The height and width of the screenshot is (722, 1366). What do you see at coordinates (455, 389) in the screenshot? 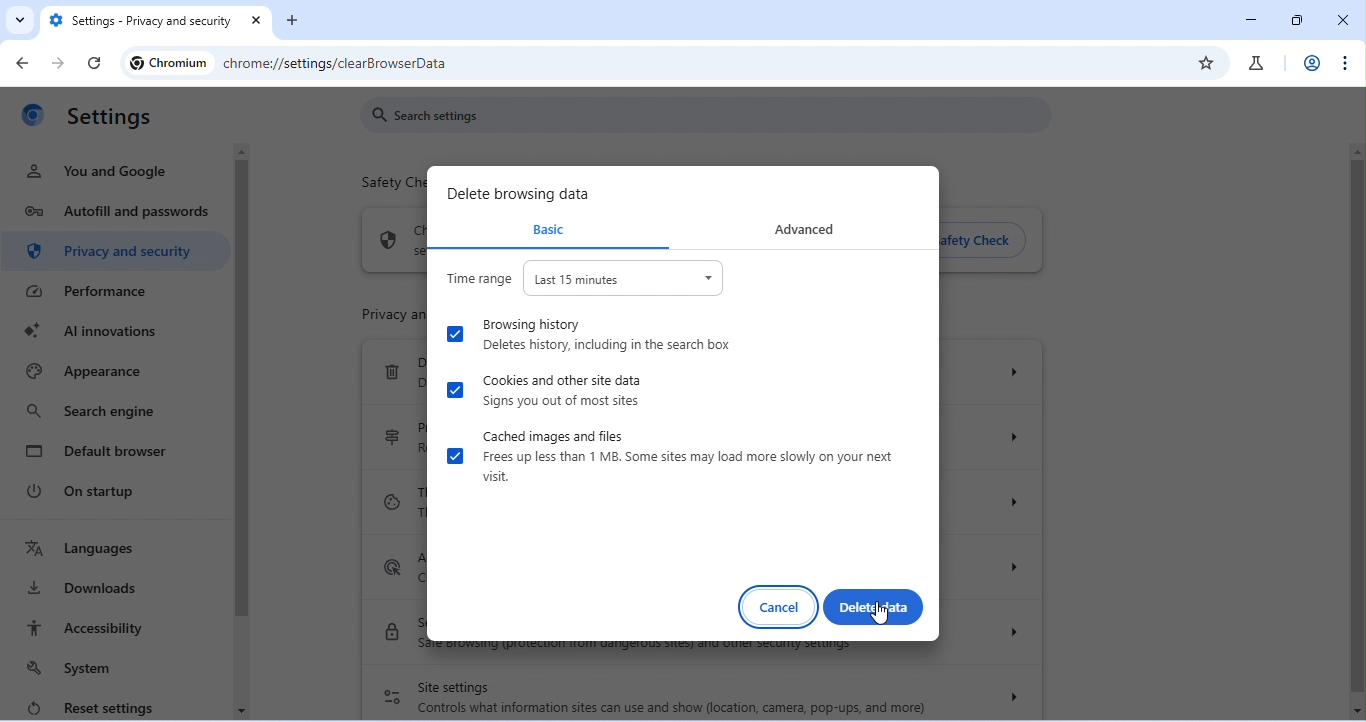
I see `check box` at bounding box center [455, 389].